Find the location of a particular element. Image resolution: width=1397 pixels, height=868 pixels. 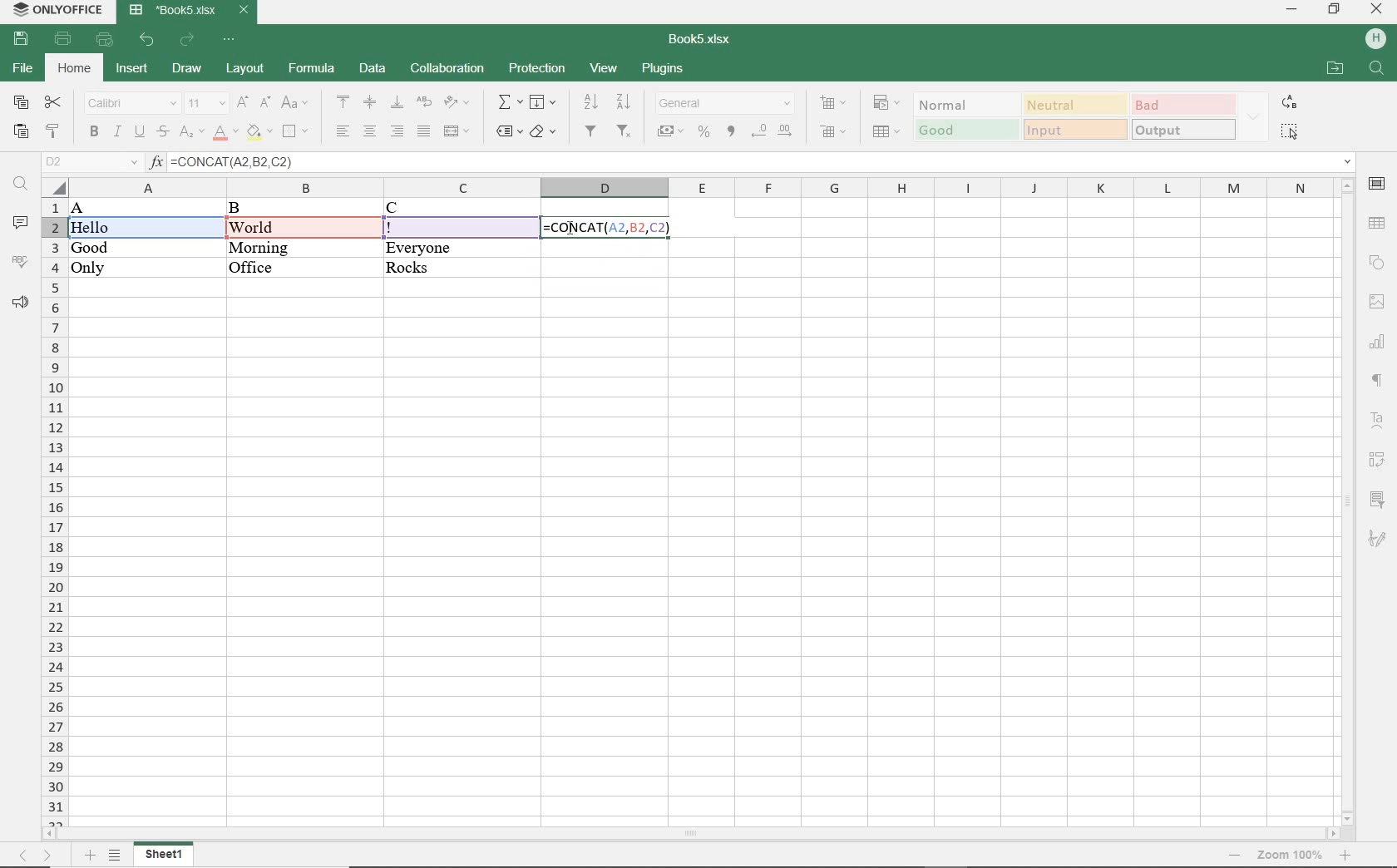

FIND is located at coordinates (1375, 68).